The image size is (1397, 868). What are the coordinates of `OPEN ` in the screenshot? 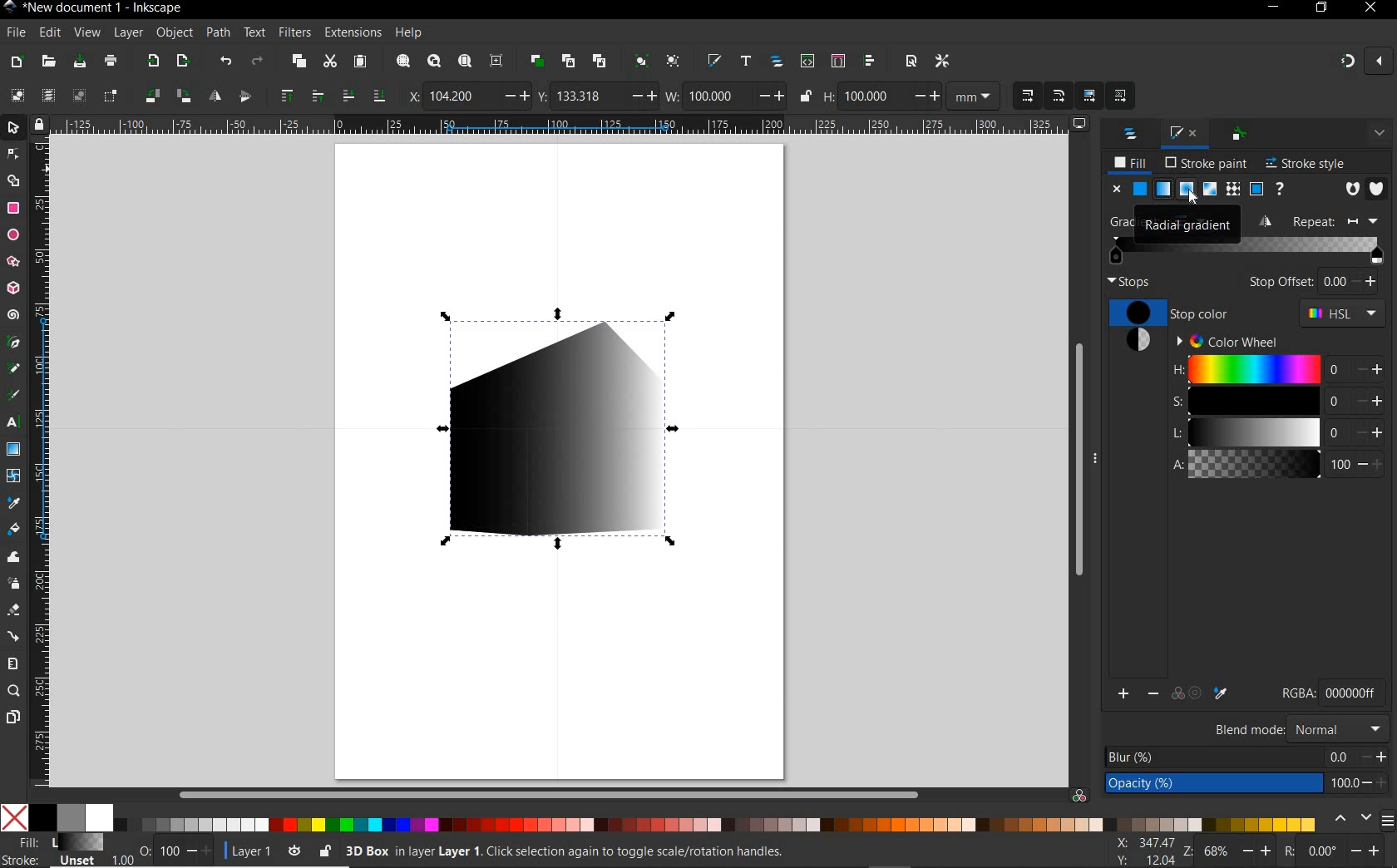 It's located at (47, 62).